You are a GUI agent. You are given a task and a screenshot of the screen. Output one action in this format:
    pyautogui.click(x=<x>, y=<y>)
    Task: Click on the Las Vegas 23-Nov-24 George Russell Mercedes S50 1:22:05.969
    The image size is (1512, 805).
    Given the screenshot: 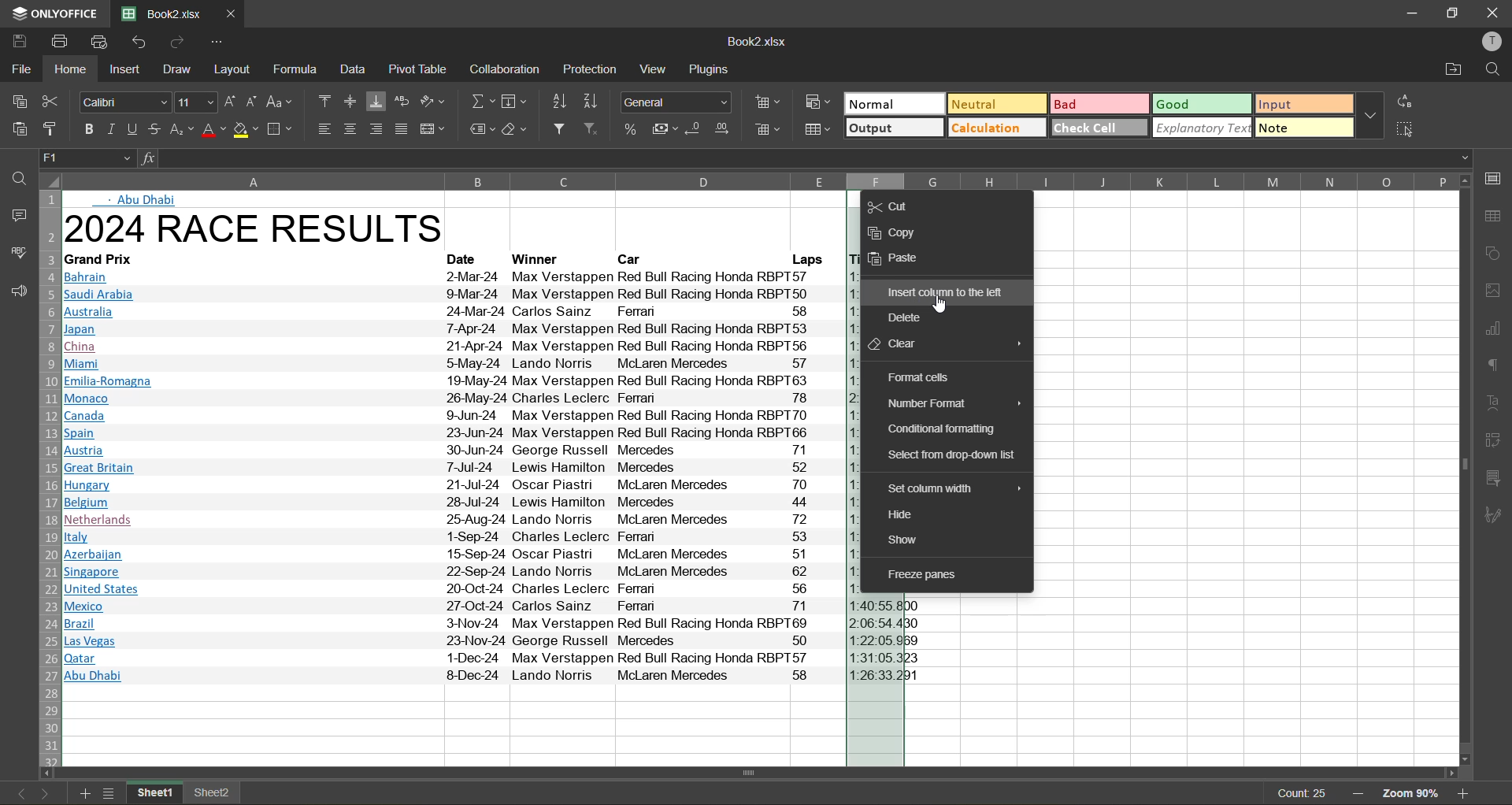 What is the action you would take?
    pyautogui.click(x=497, y=642)
    